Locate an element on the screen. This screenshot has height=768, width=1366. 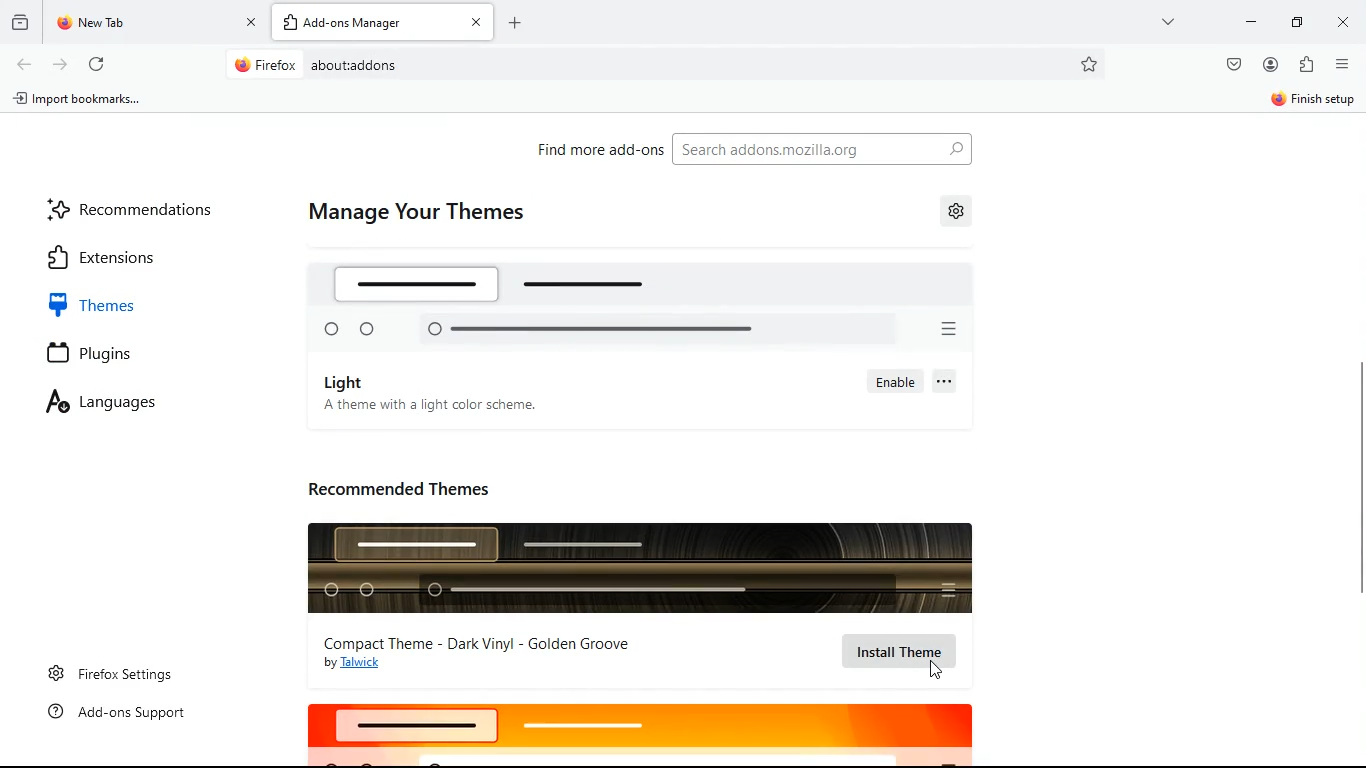
about:addons is located at coordinates (353, 66).